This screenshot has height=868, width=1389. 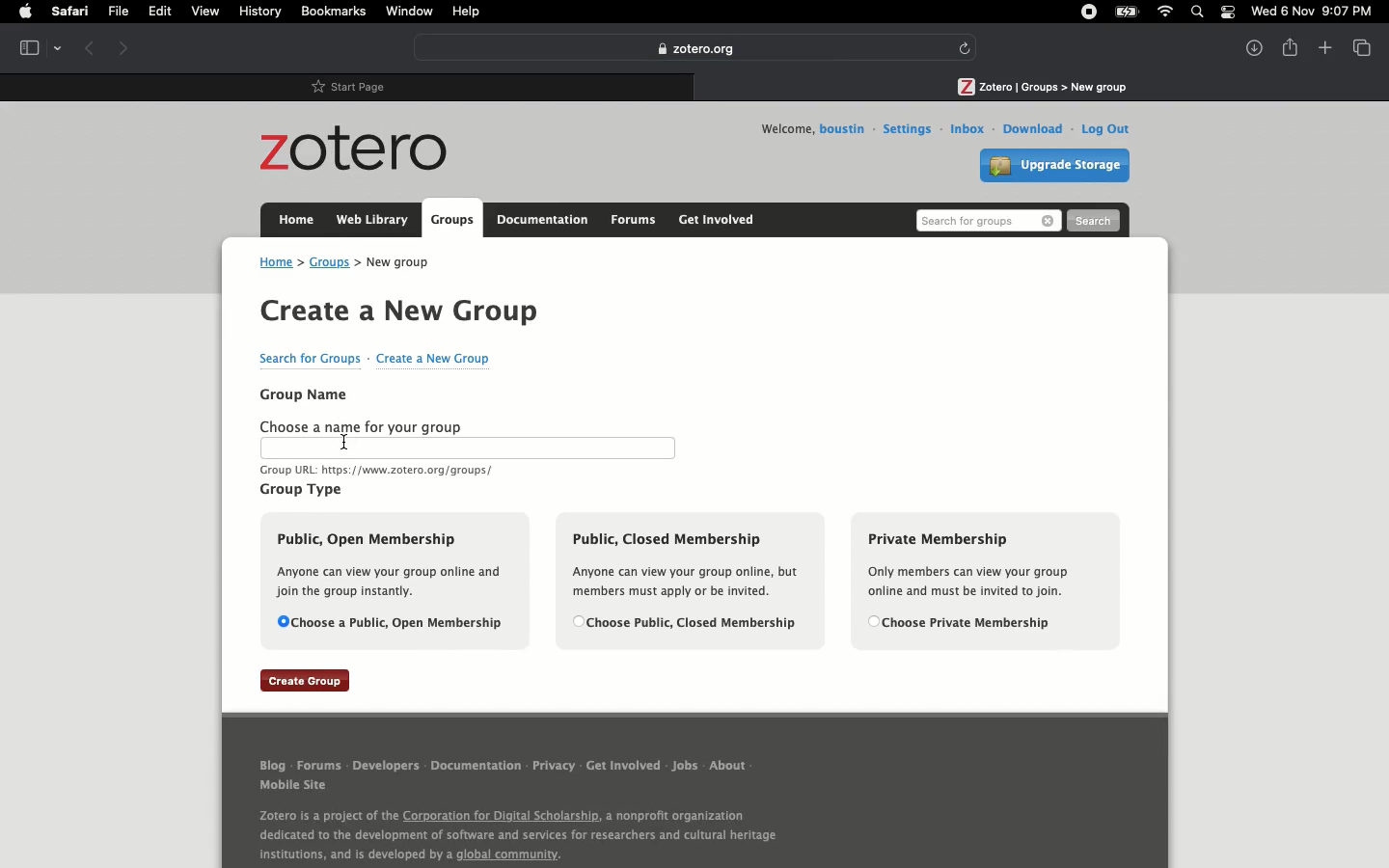 What do you see at coordinates (967, 127) in the screenshot?
I see `Inbox` at bounding box center [967, 127].